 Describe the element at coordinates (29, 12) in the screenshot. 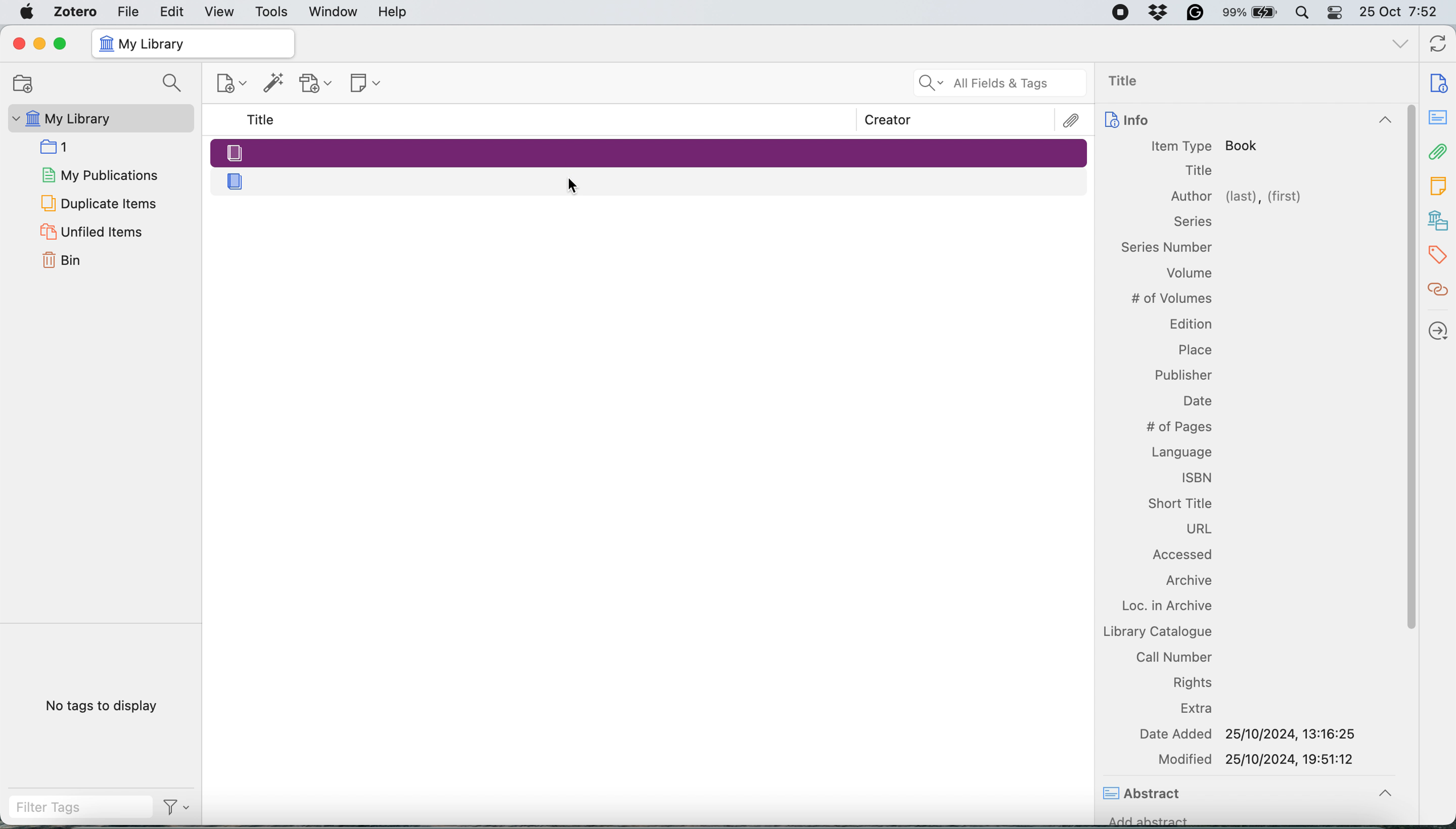

I see `Apple Menu` at that location.